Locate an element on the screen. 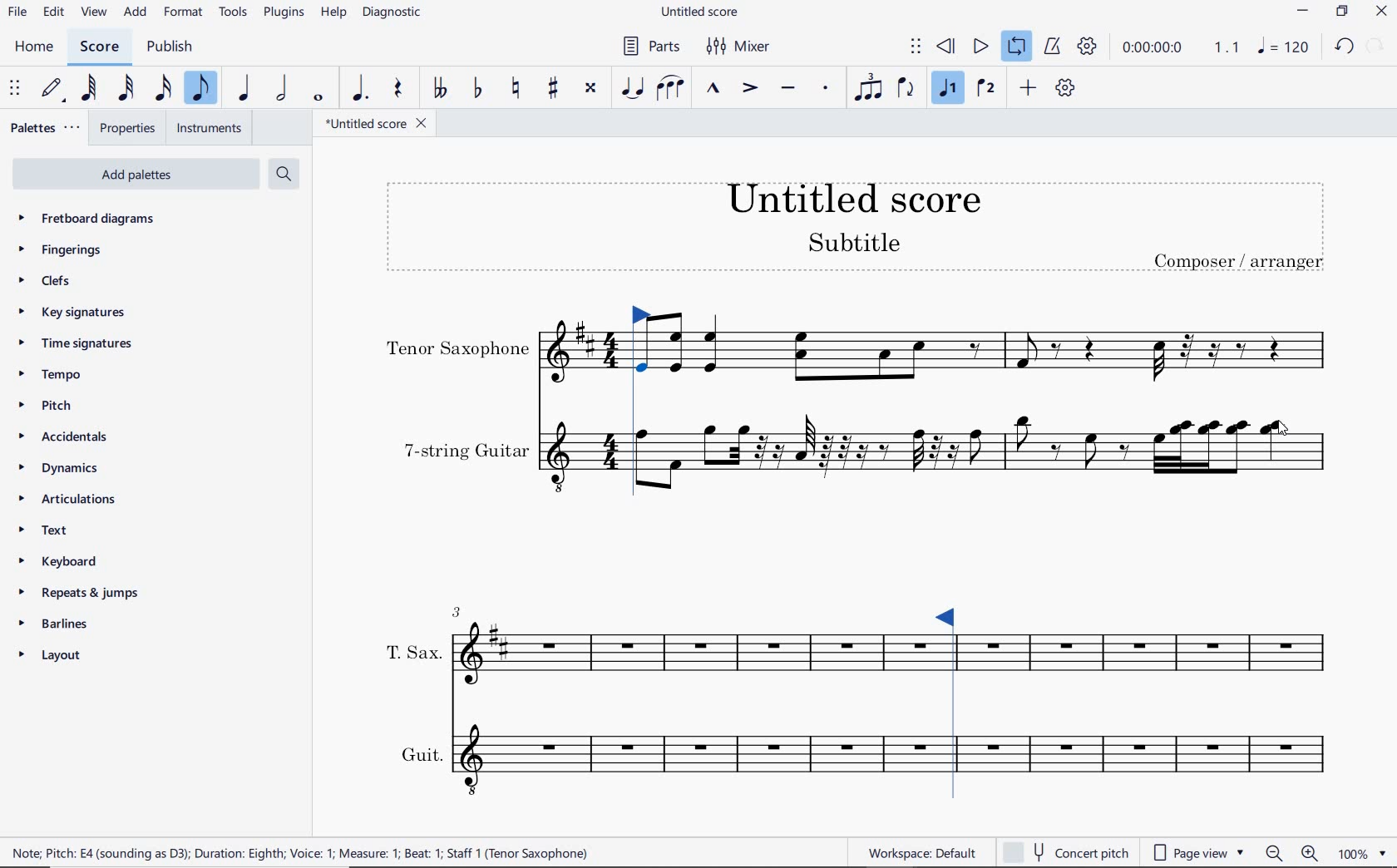  DYNAMICS is located at coordinates (55, 468).